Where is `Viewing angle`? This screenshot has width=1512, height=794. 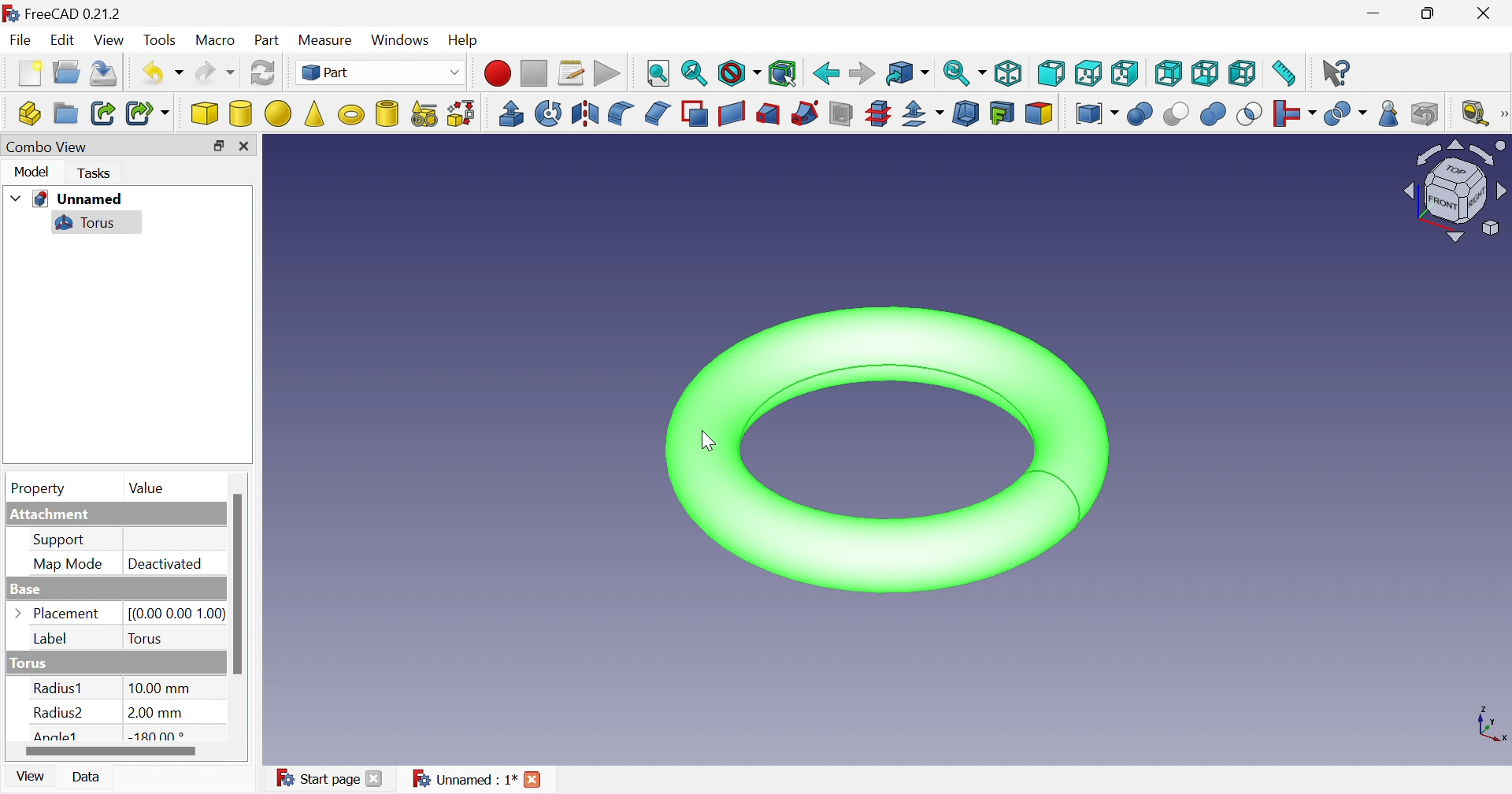 Viewing angle is located at coordinates (1454, 191).